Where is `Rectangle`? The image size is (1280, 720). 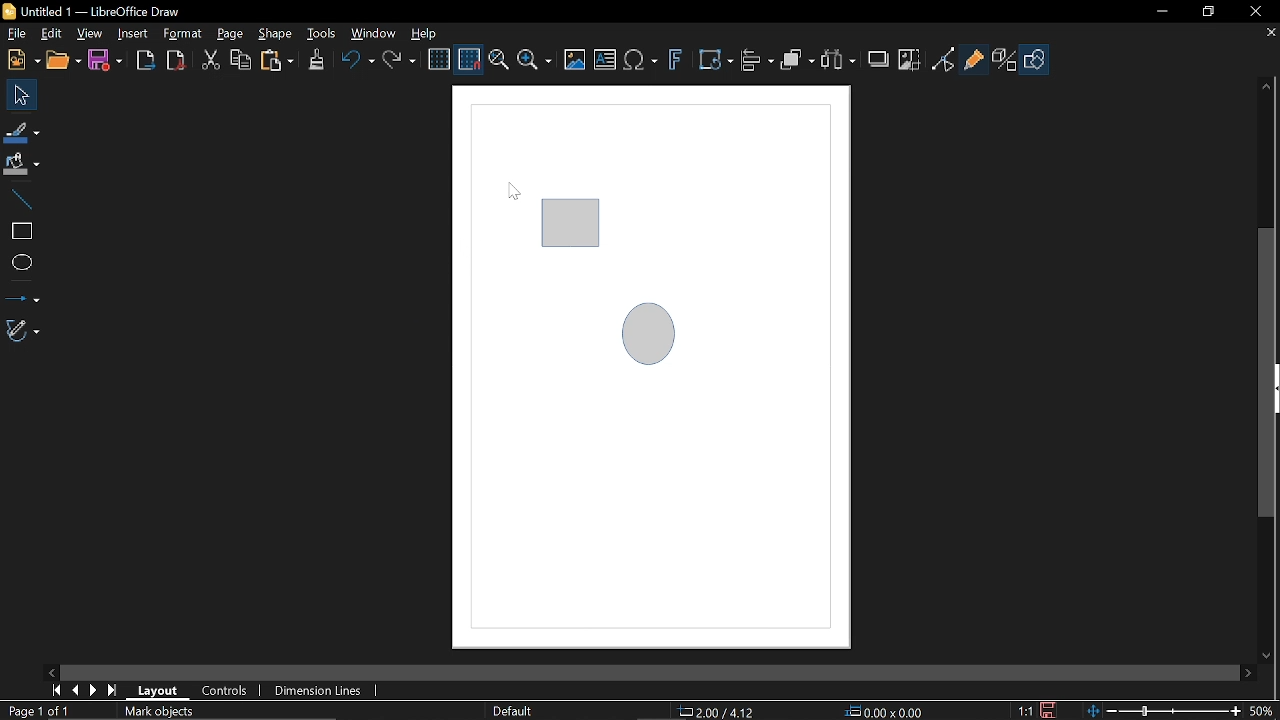
Rectangle is located at coordinates (19, 229).